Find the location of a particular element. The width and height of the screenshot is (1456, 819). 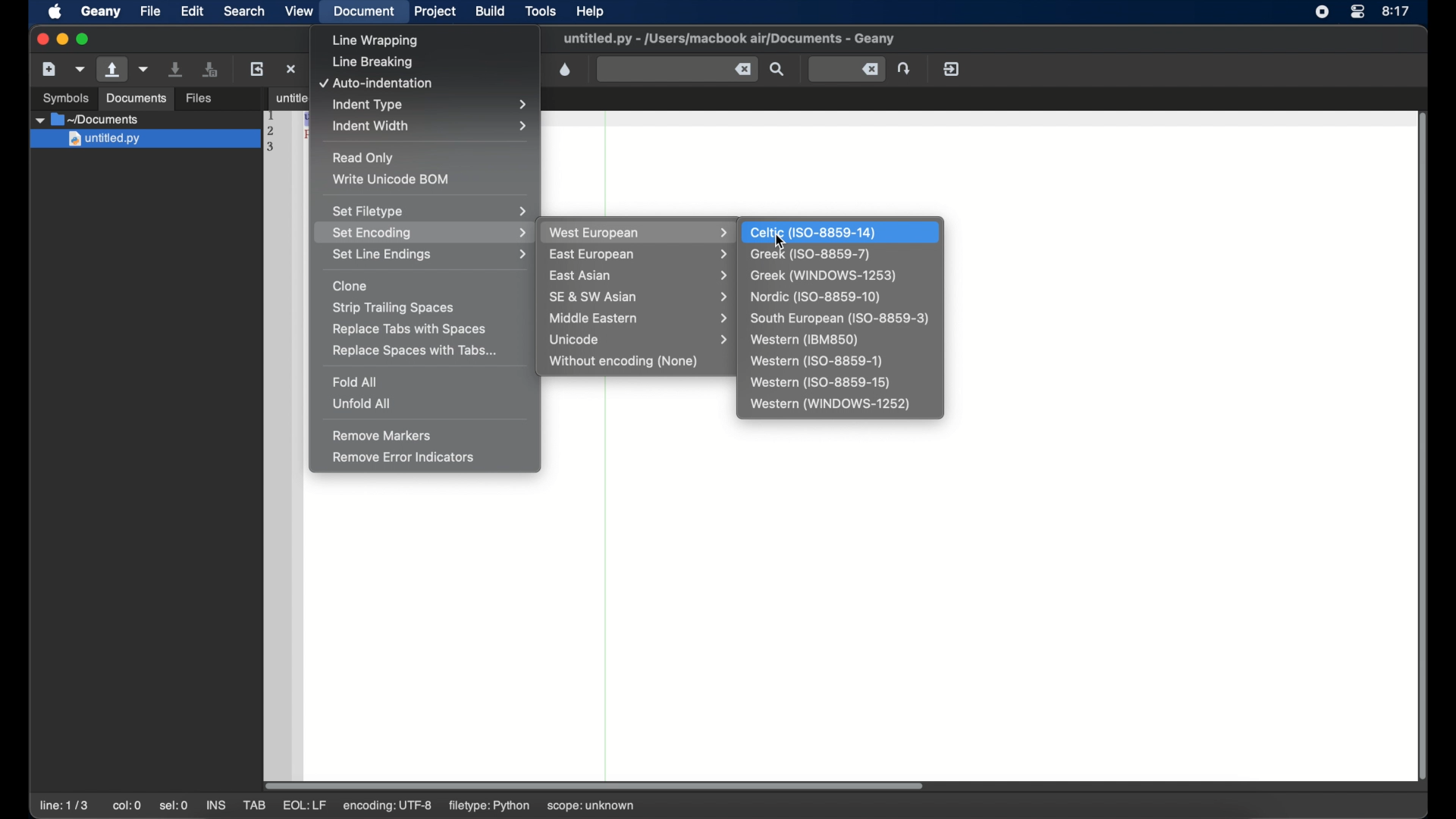

tab is located at coordinates (285, 97).